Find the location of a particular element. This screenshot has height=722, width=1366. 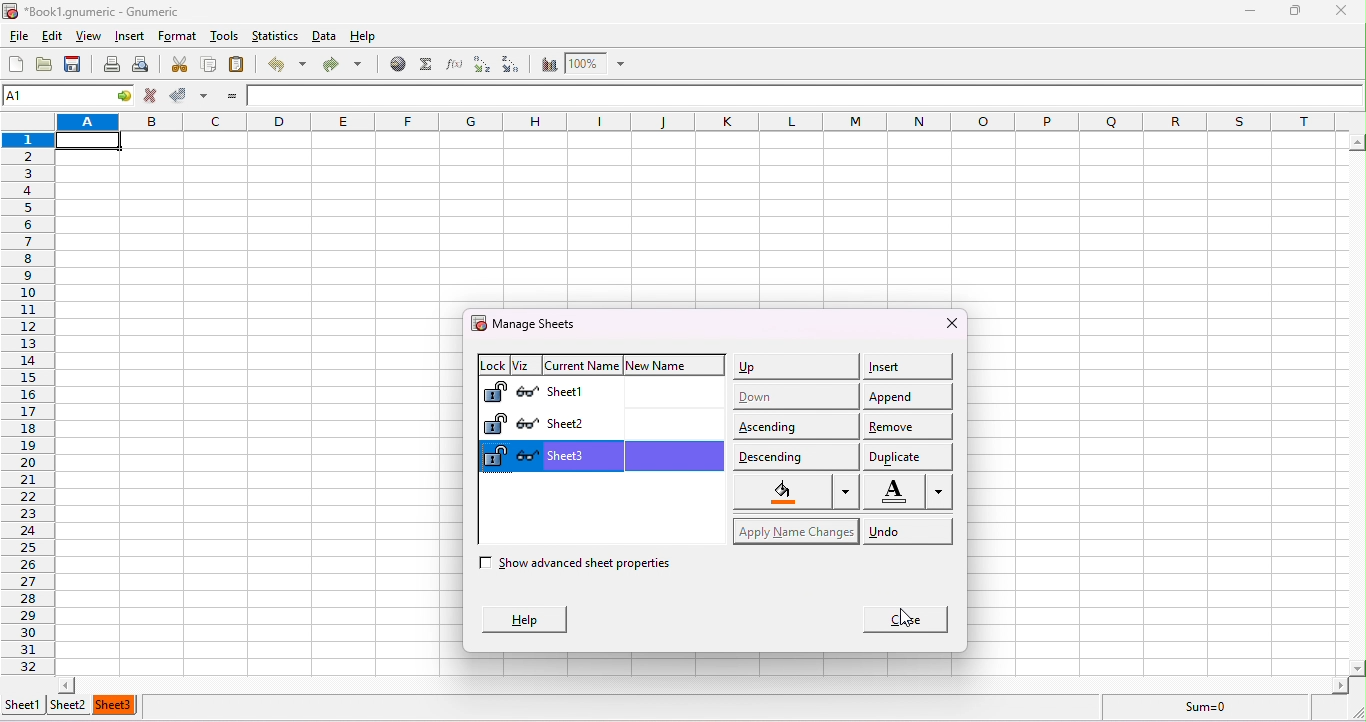

cut is located at coordinates (178, 65).